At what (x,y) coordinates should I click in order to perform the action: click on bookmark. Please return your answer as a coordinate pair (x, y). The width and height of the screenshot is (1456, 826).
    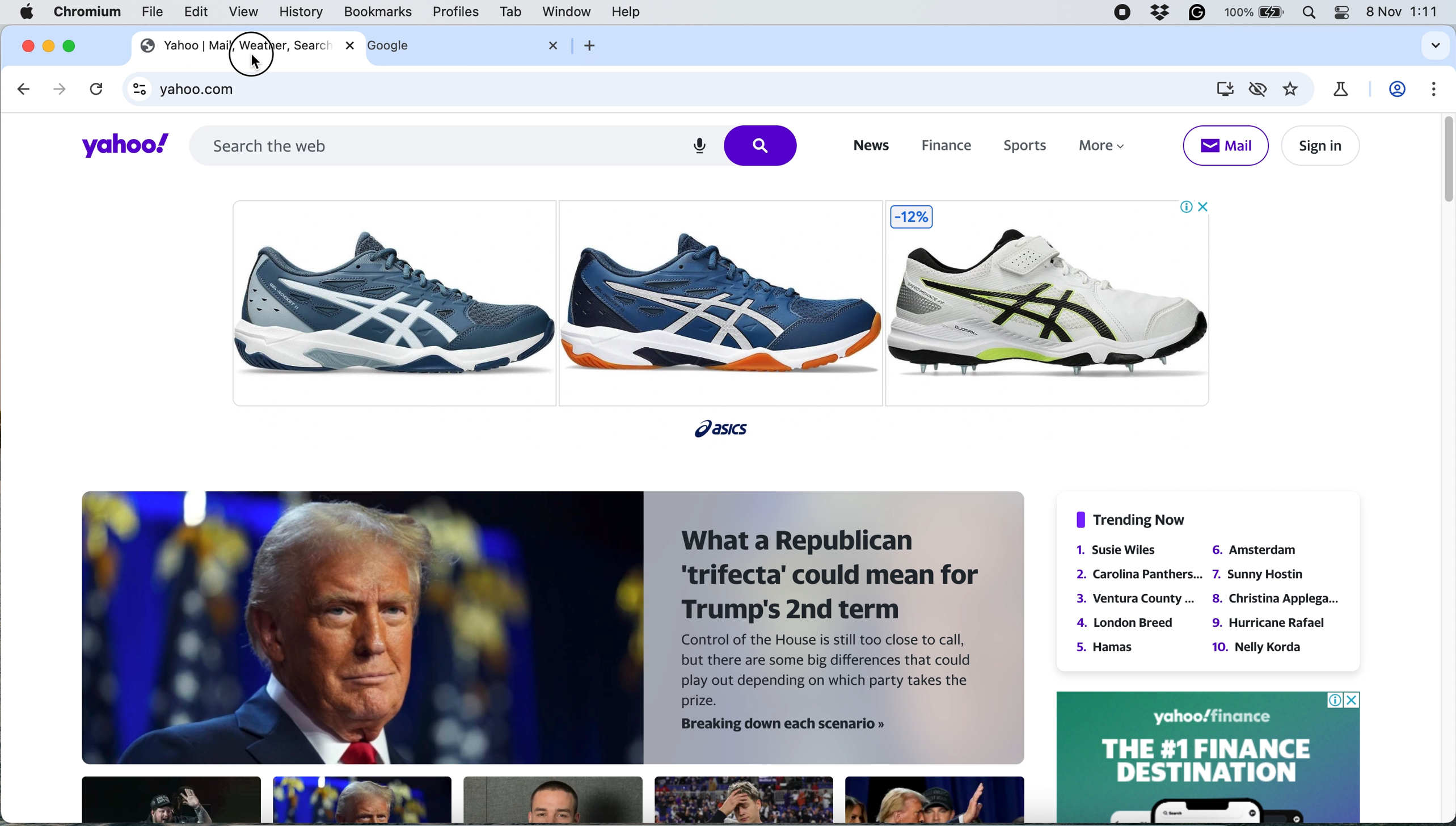
    Looking at the image, I should click on (1292, 90).